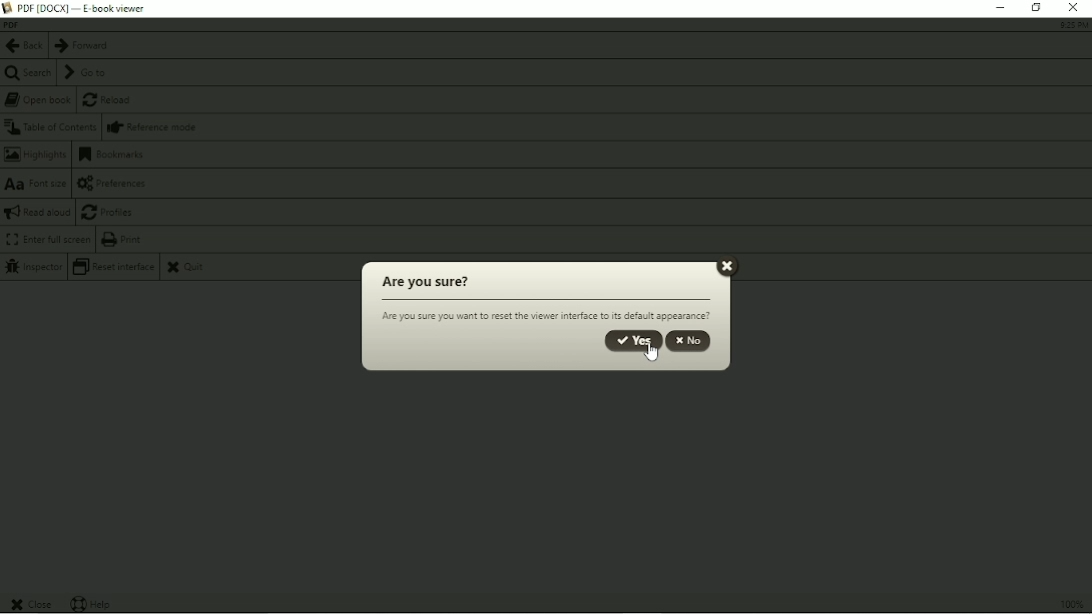 This screenshot has width=1092, height=614. What do you see at coordinates (109, 212) in the screenshot?
I see `Profiles` at bounding box center [109, 212].